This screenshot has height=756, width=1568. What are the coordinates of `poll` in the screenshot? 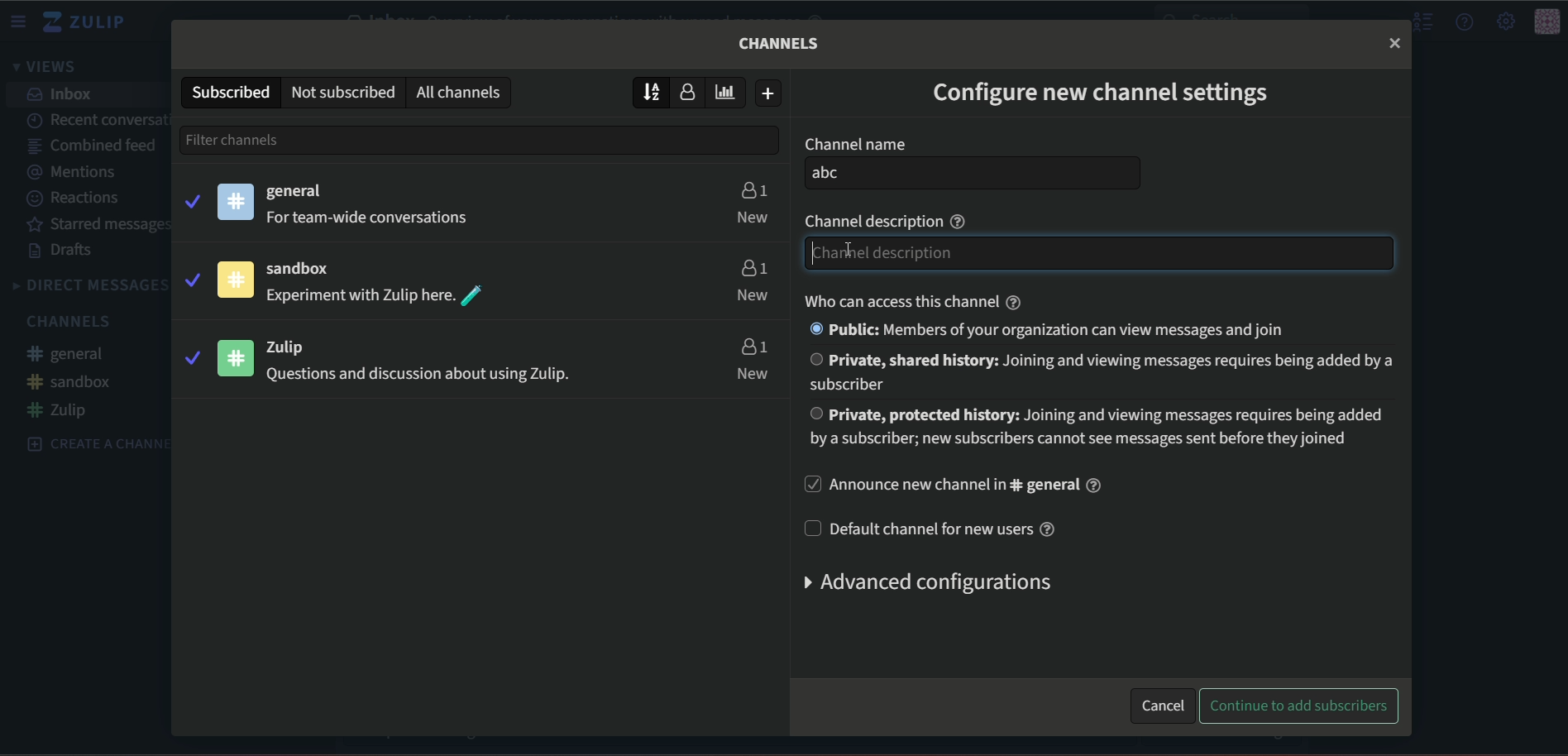 It's located at (730, 92).